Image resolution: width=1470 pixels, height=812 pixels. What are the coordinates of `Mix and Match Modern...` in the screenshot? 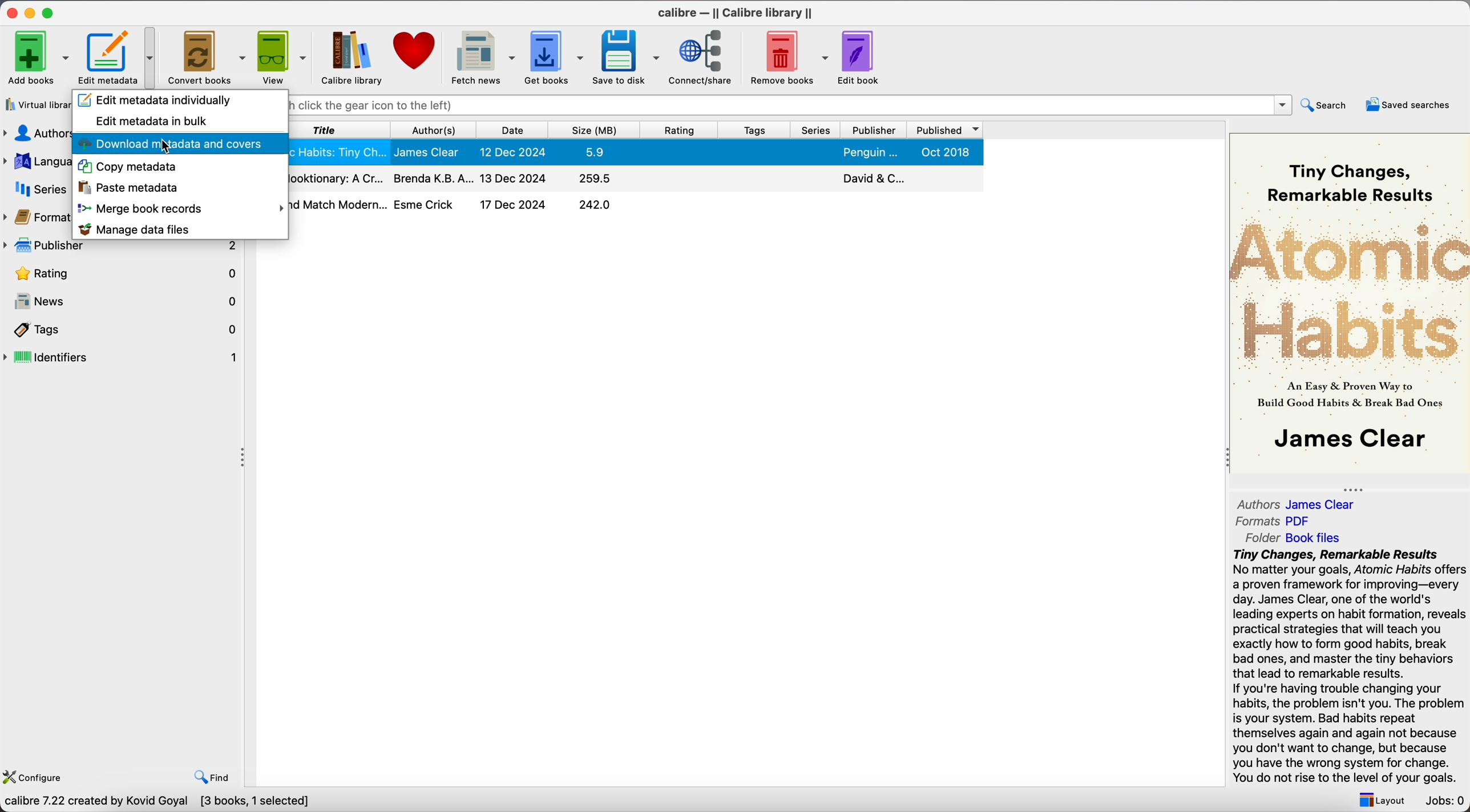 It's located at (339, 204).